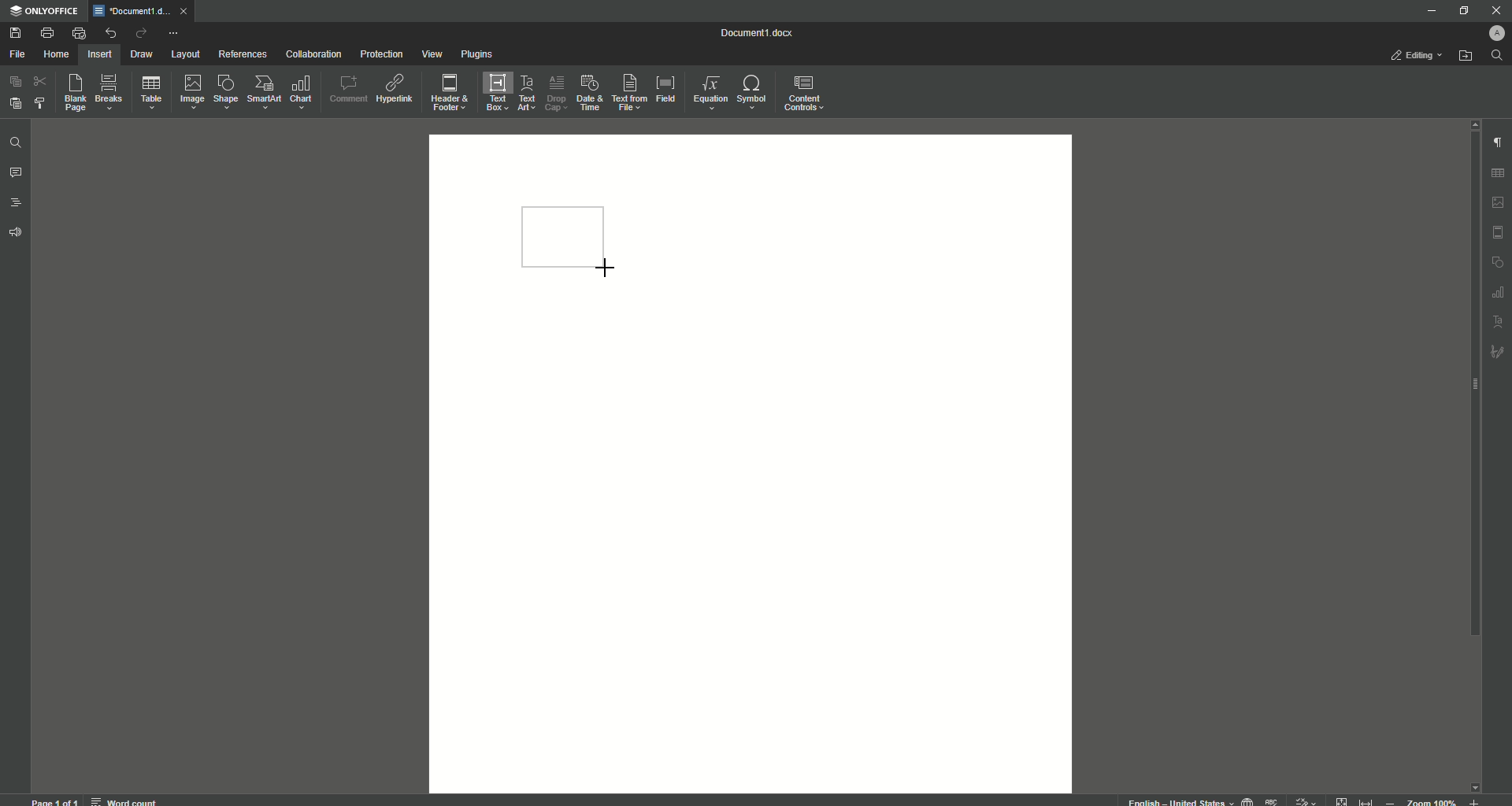 This screenshot has height=806, width=1512. Describe the element at coordinates (313, 56) in the screenshot. I see `Collaboration` at that location.